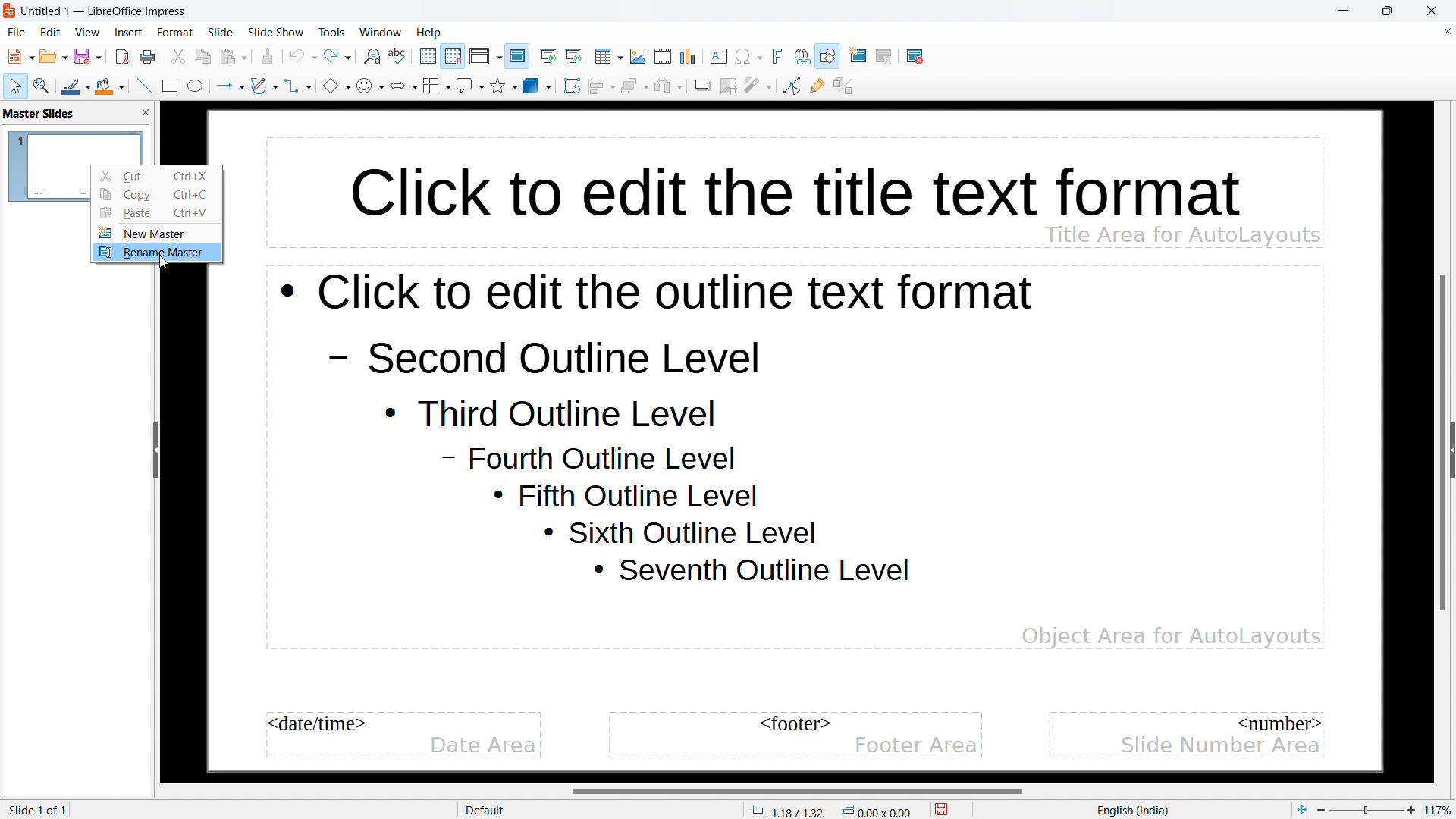 Image resolution: width=1456 pixels, height=819 pixels. What do you see at coordinates (303, 56) in the screenshot?
I see `undo` at bounding box center [303, 56].